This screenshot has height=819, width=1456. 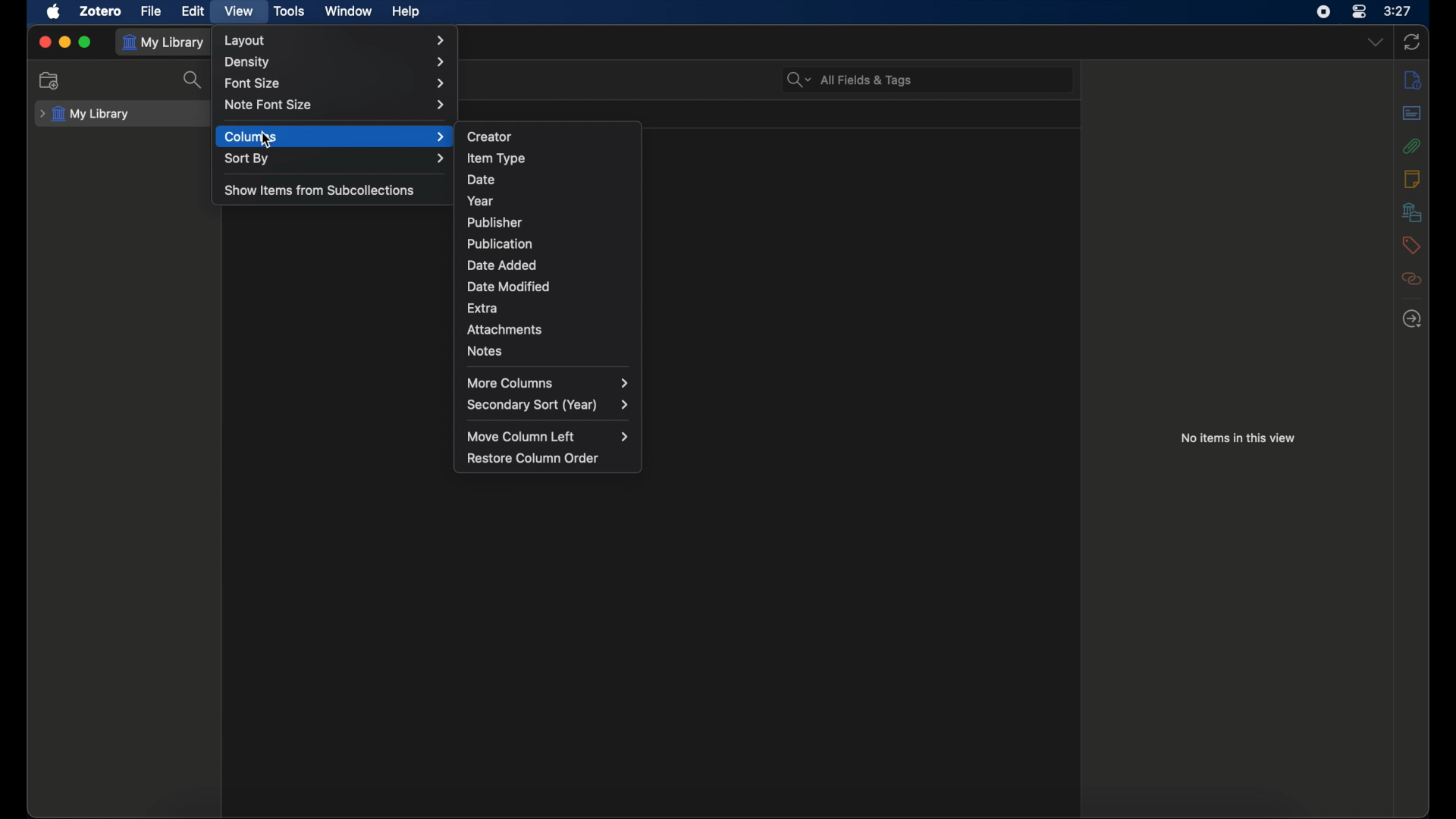 What do you see at coordinates (335, 159) in the screenshot?
I see `sort by` at bounding box center [335, 159].